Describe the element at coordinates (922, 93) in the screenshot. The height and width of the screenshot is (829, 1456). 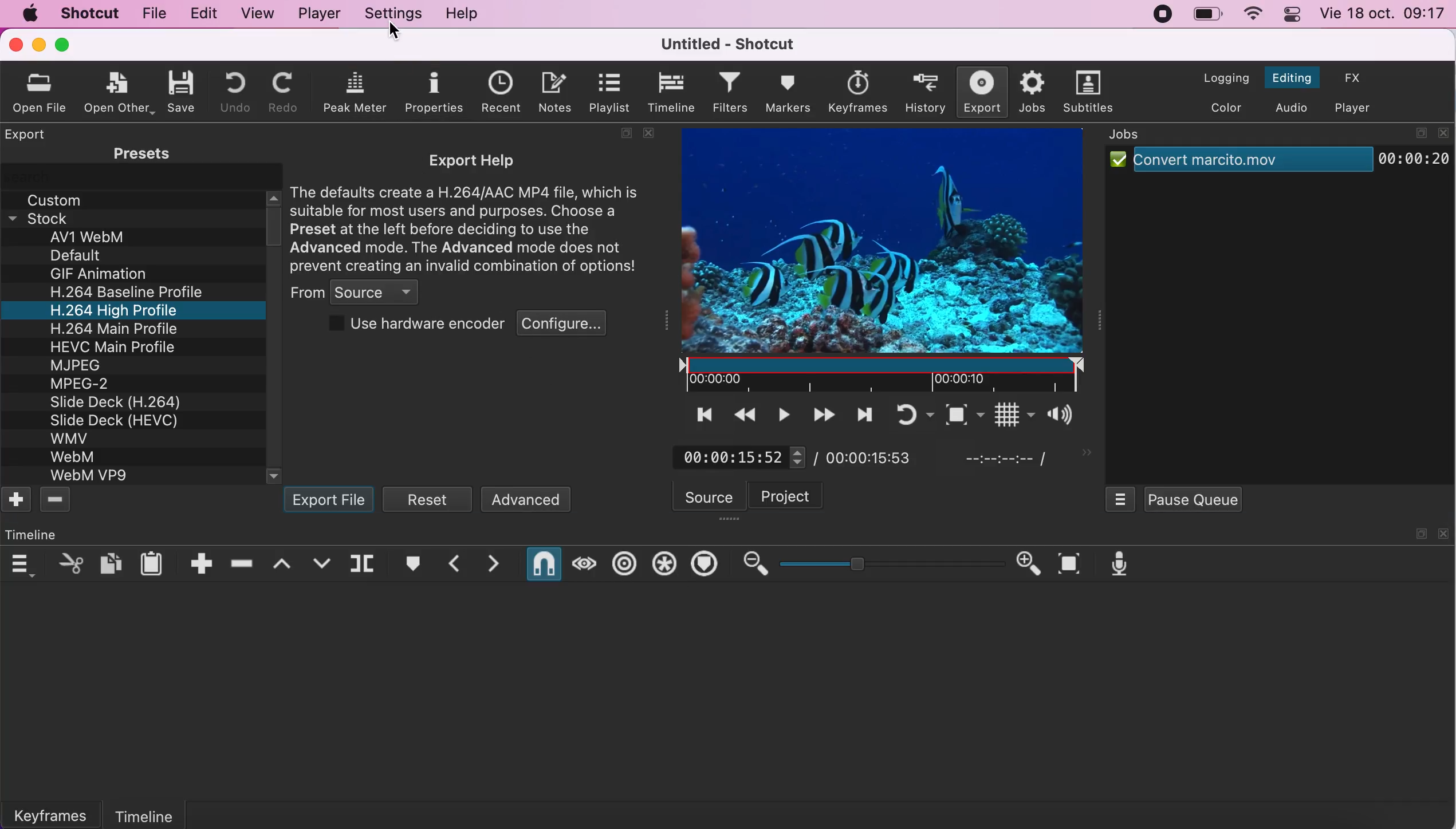
I see `history` at that location.